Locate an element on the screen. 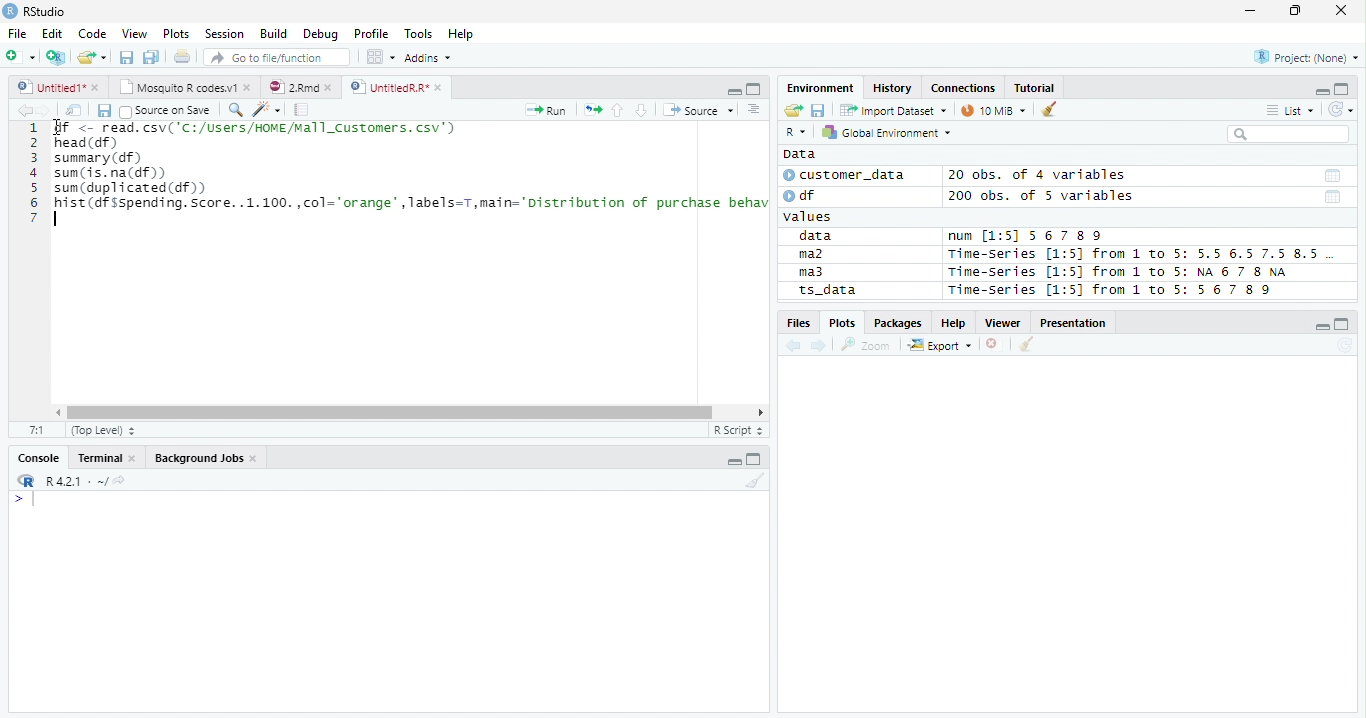  Connections is located at coordinates (963, 88).